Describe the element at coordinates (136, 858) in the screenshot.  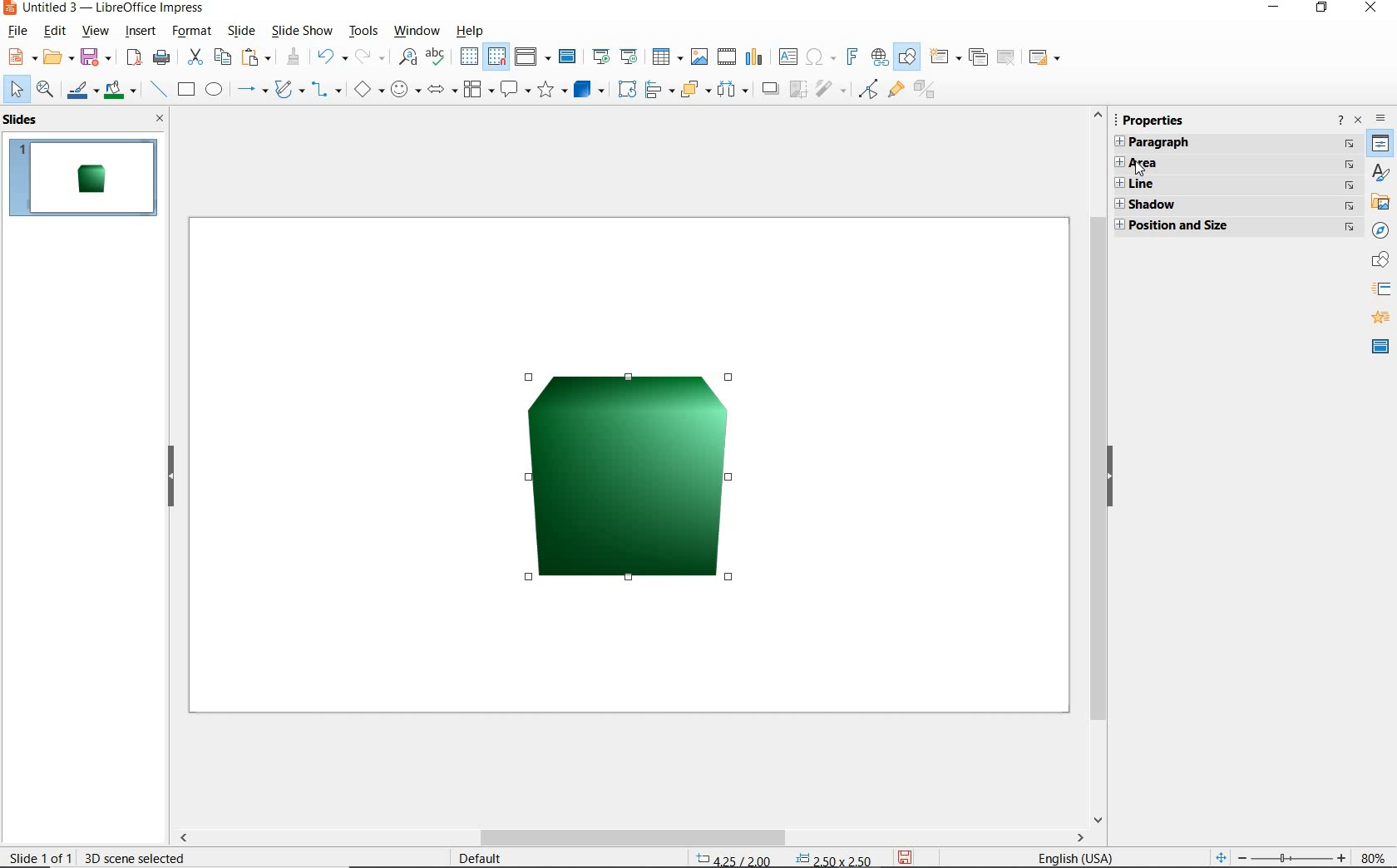
I see `30 scene selected` at that location.